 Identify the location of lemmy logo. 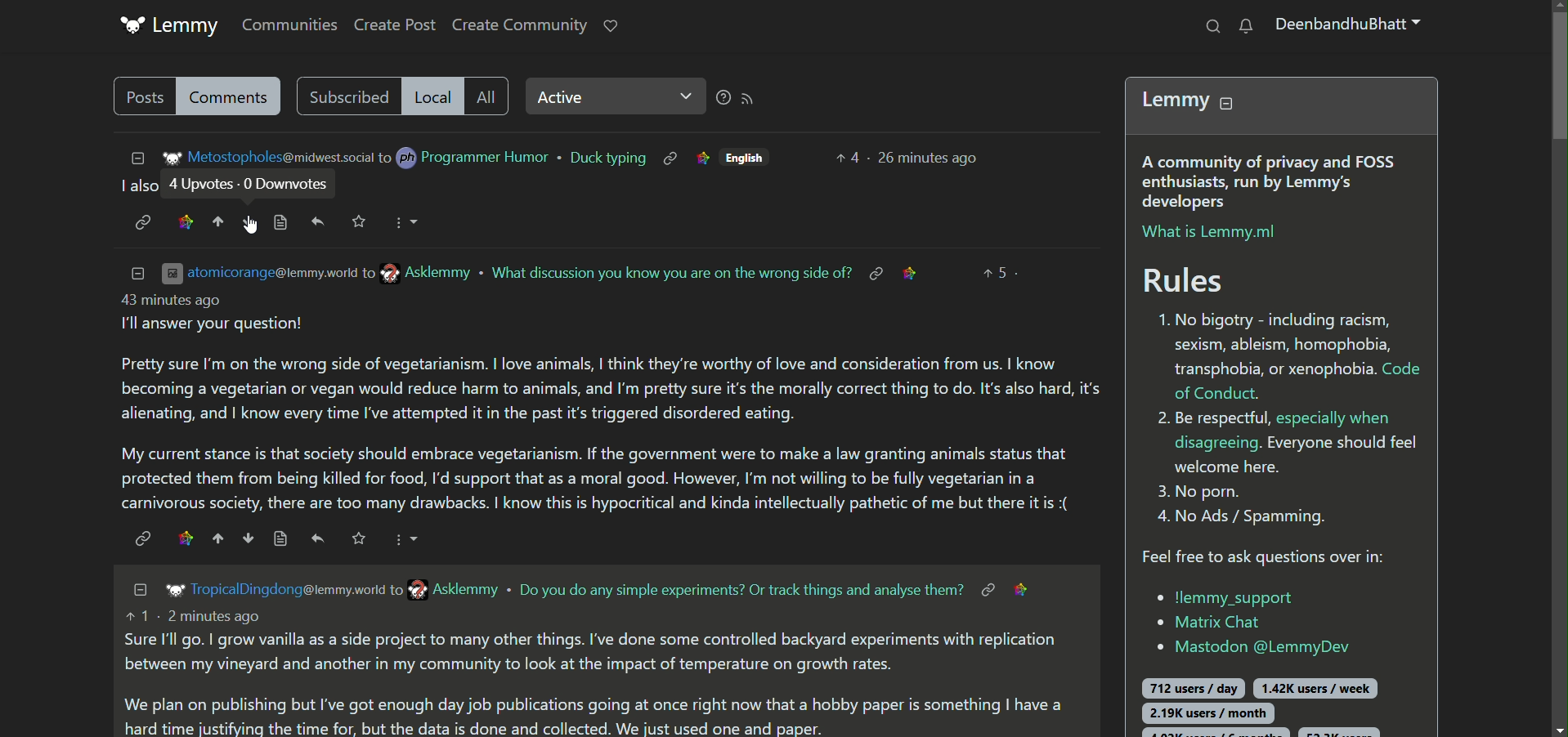
(170, 26).